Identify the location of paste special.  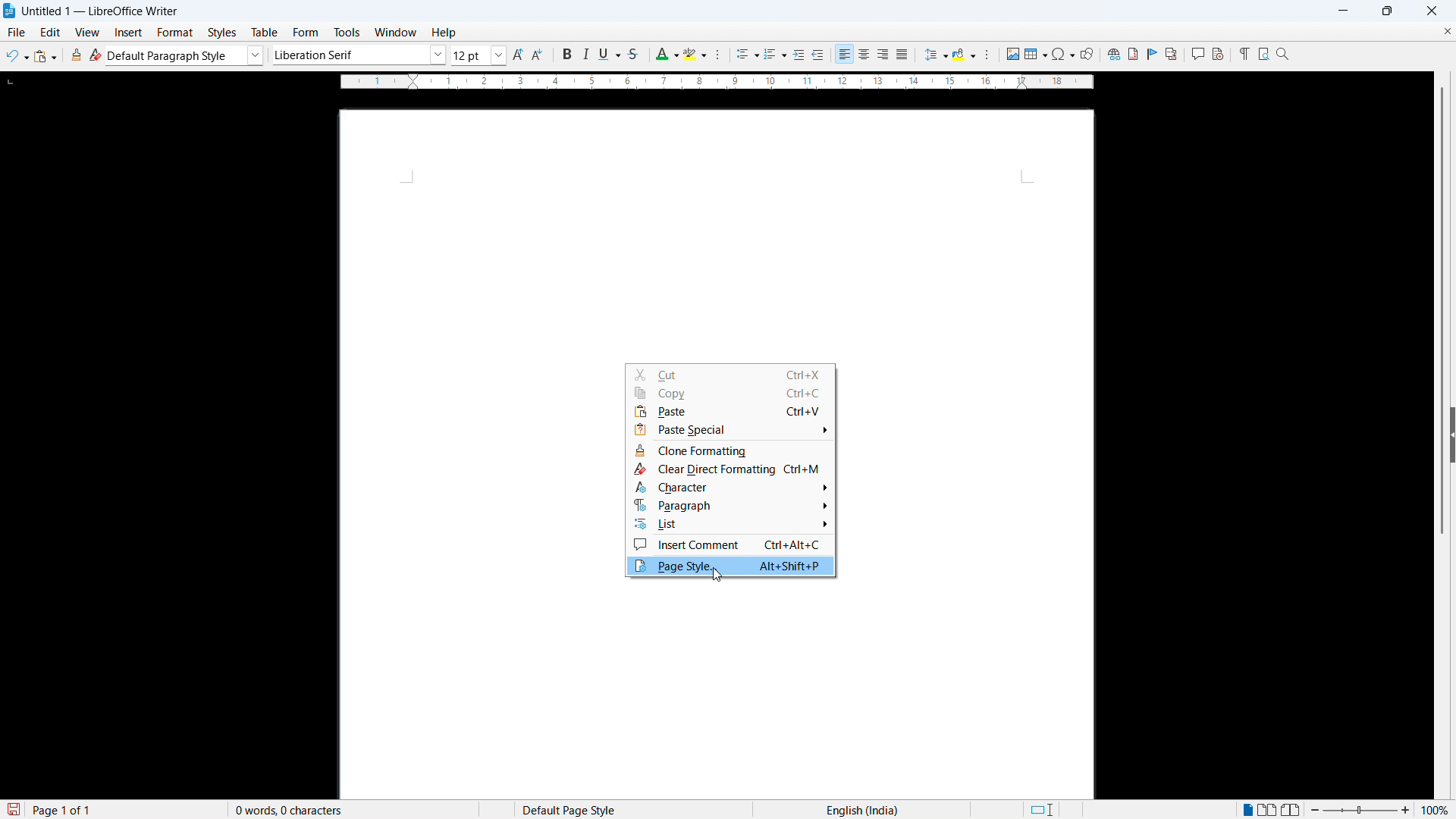
(730, 430).